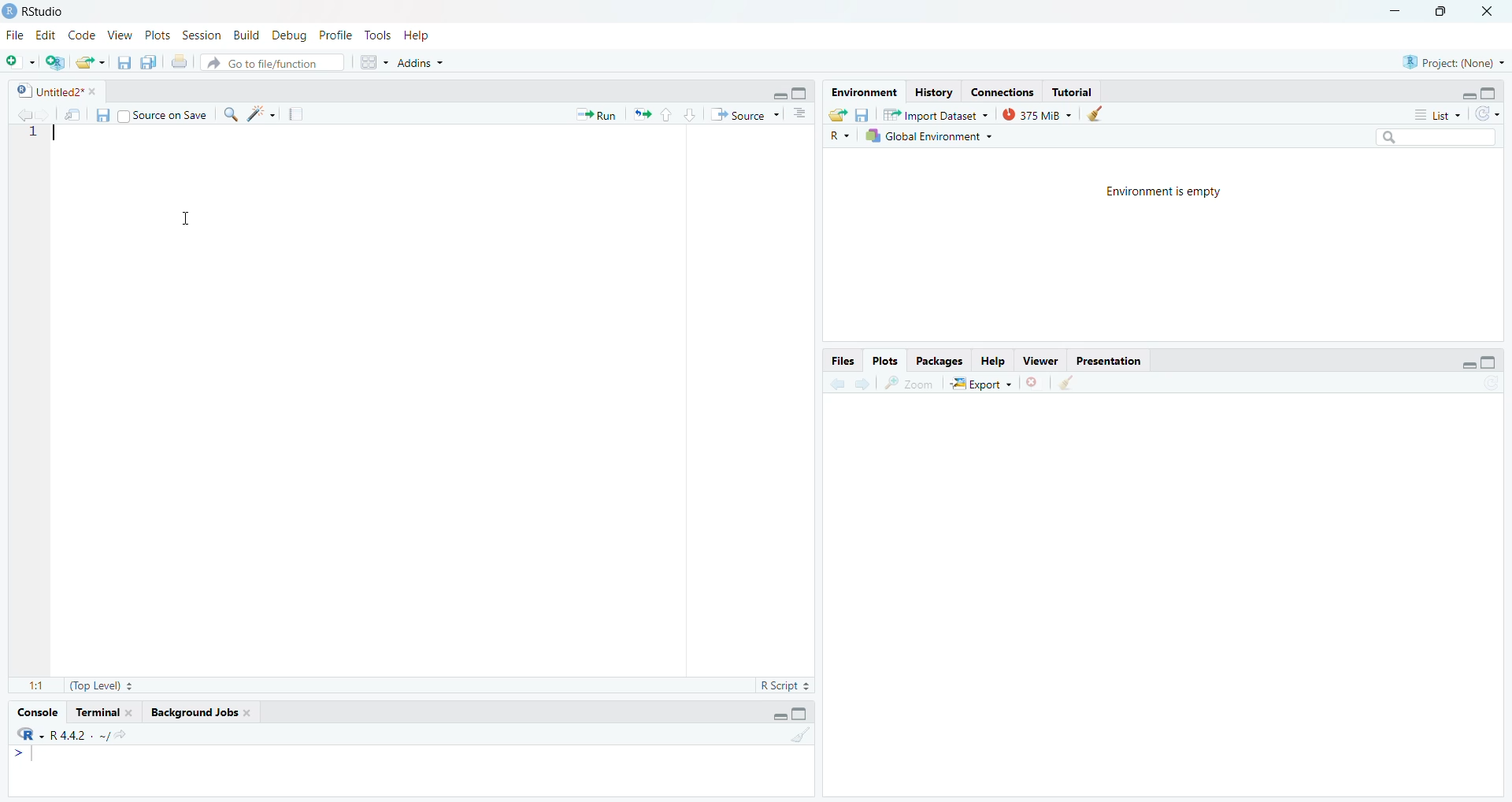  What do you see at coordinates (187, 221) in the screenshot?
I see `cursor` at bounding box center [187, 221].